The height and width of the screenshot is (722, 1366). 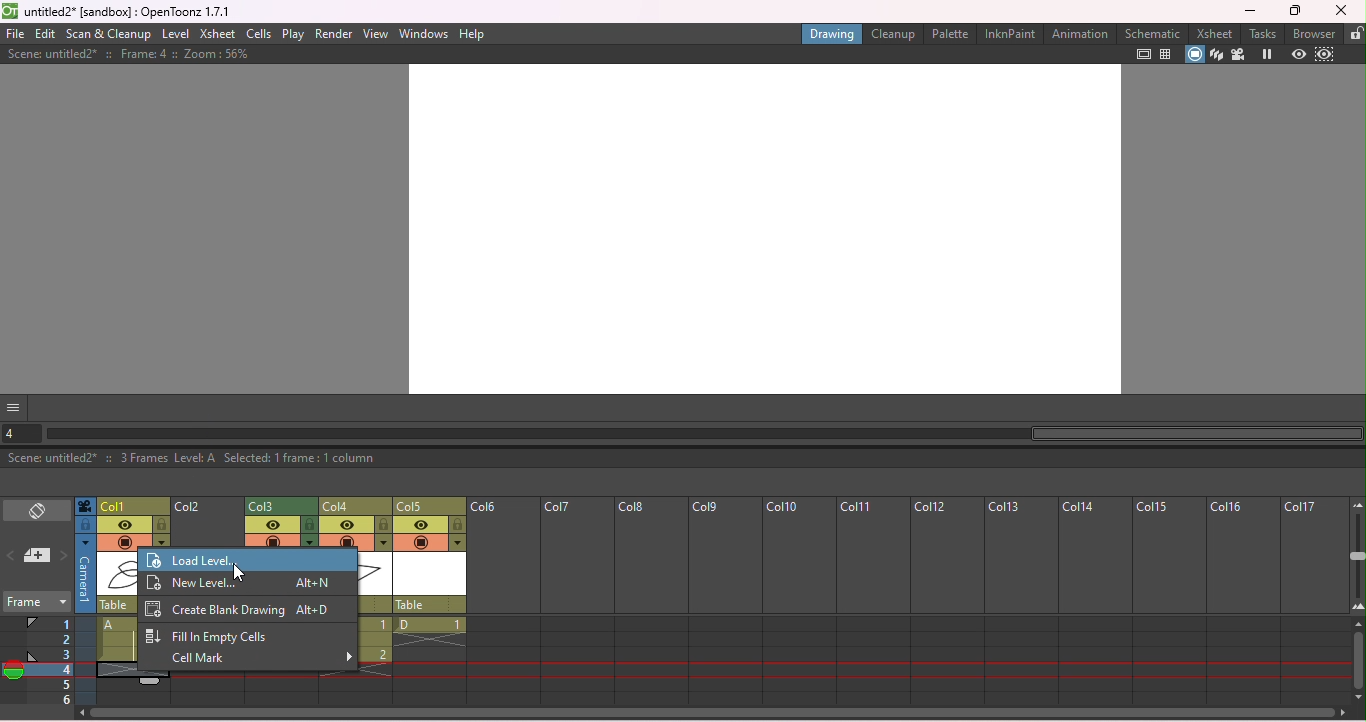 What do you see at coordinates (347, 543) in the screenshot?
I see `camera stand visibility toggle` at bounding box center [347, 543].